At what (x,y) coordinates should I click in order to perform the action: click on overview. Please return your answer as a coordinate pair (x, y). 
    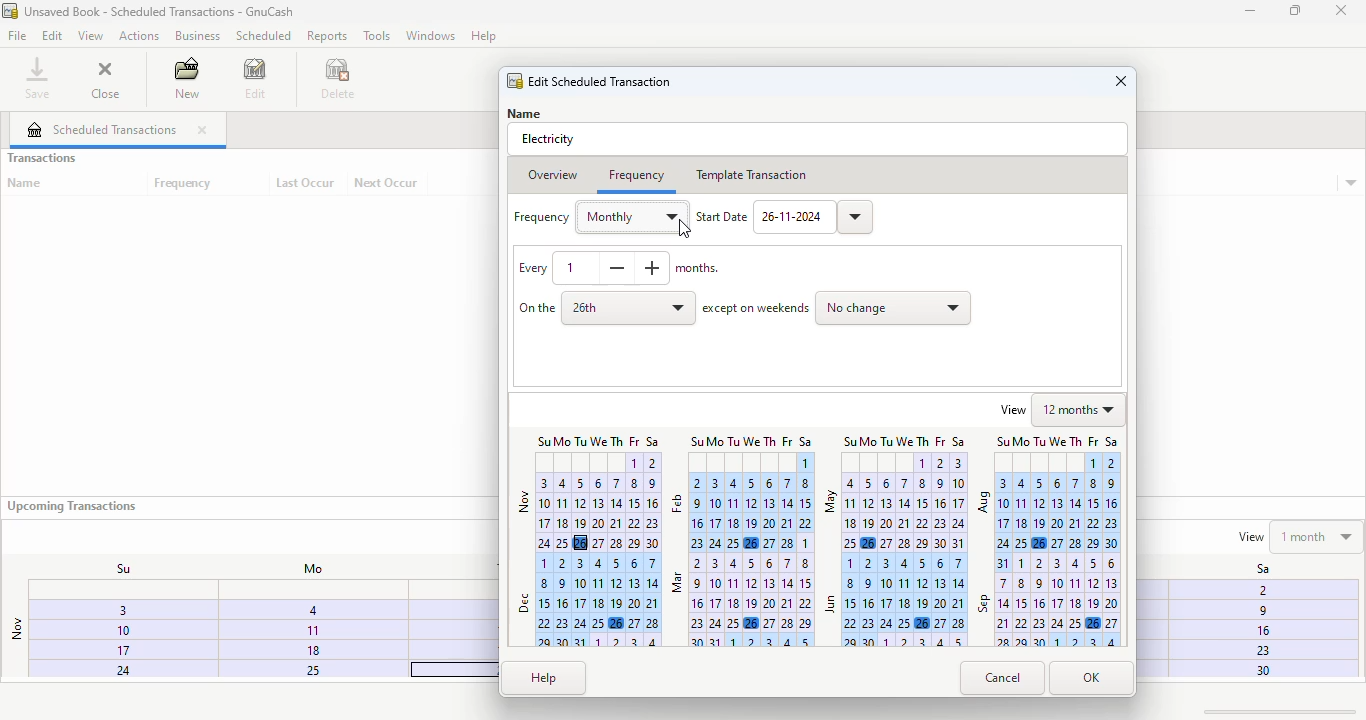
    Looking at the image, I should click on (553, 176).